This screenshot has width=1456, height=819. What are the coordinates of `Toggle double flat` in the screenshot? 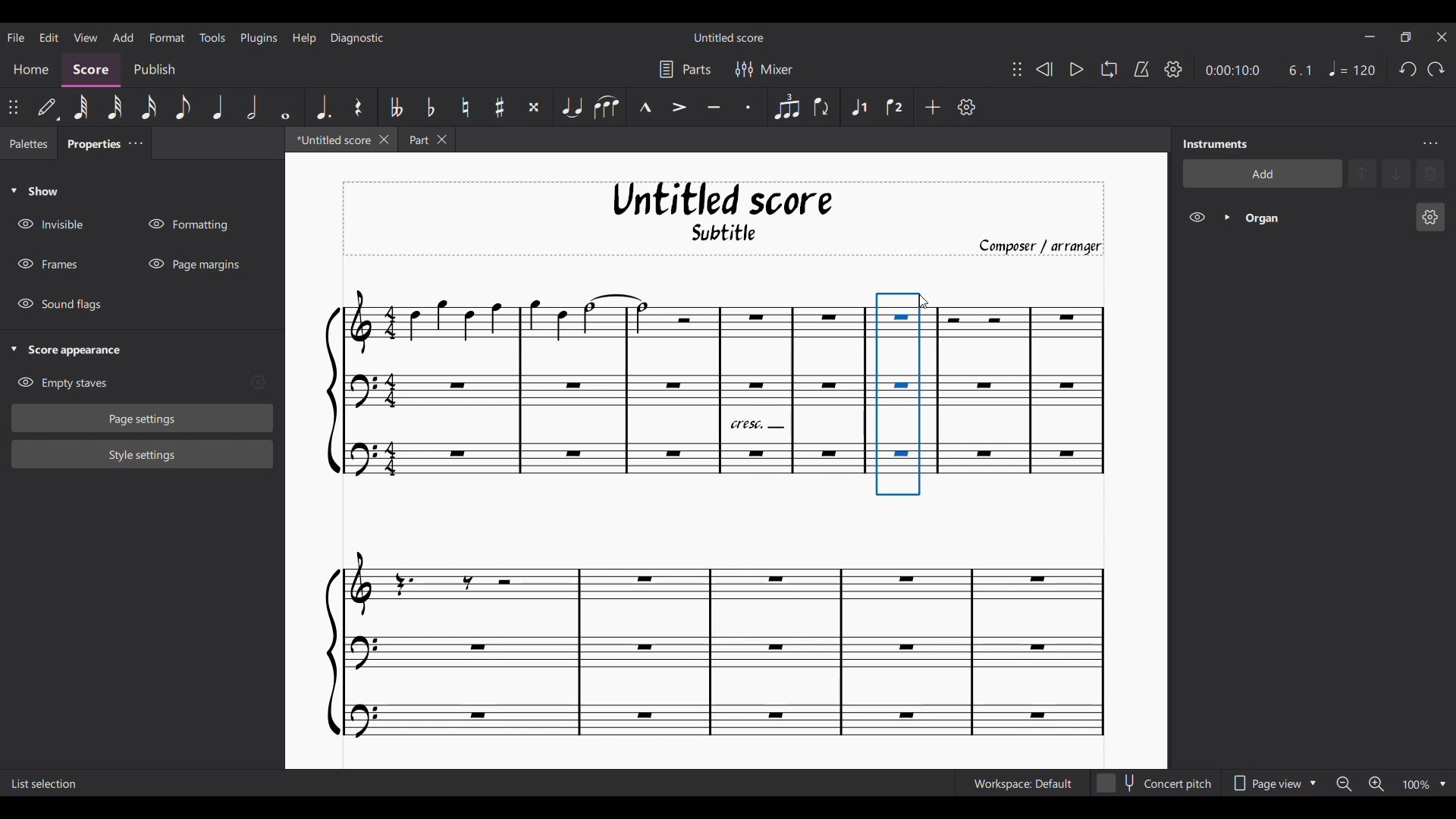 It's located at (395, 106).